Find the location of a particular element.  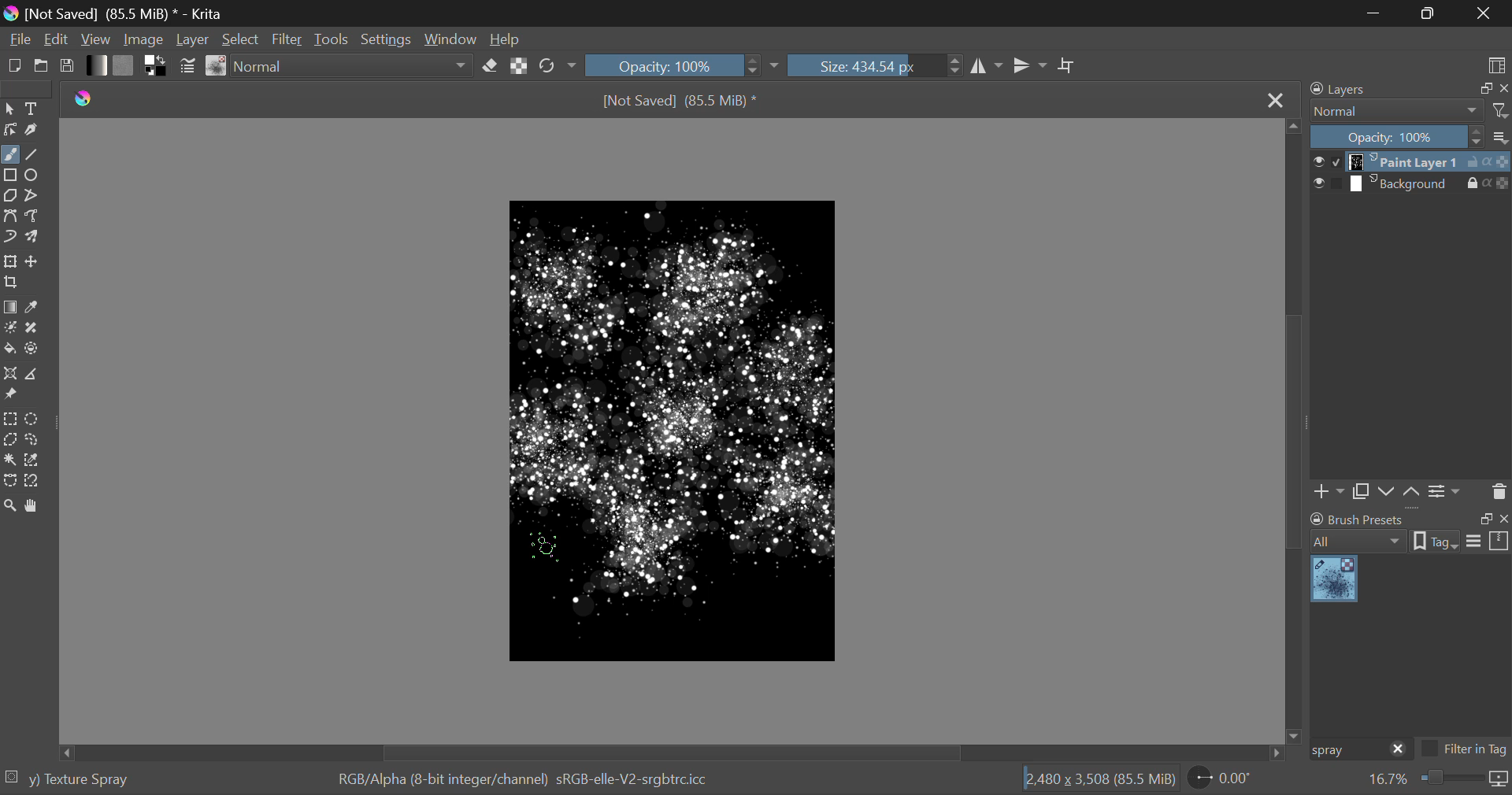

Bezier Curve is located at coordinates (9, 215).